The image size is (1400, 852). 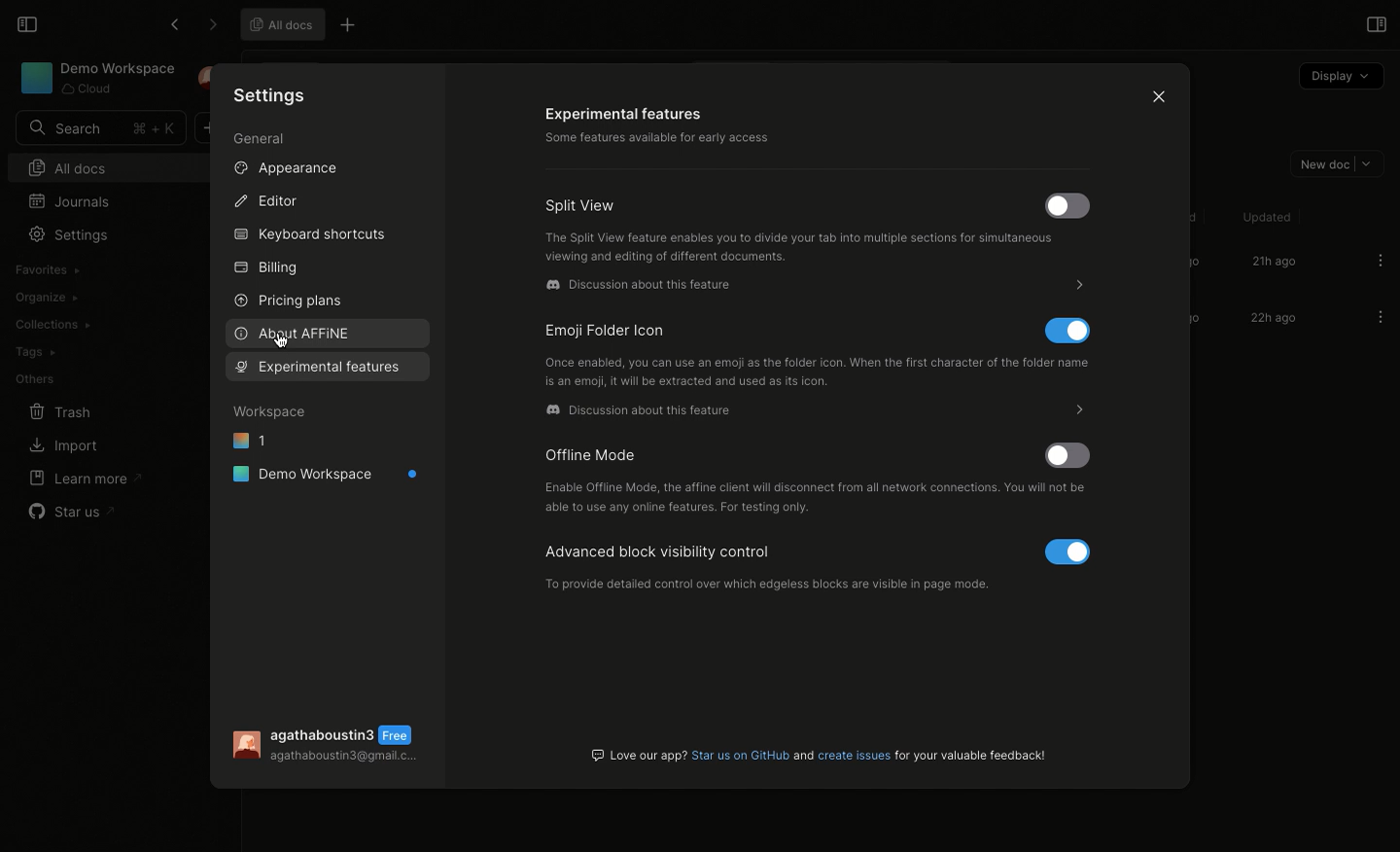 I want to click on Display, so click(x=1340, y=77).